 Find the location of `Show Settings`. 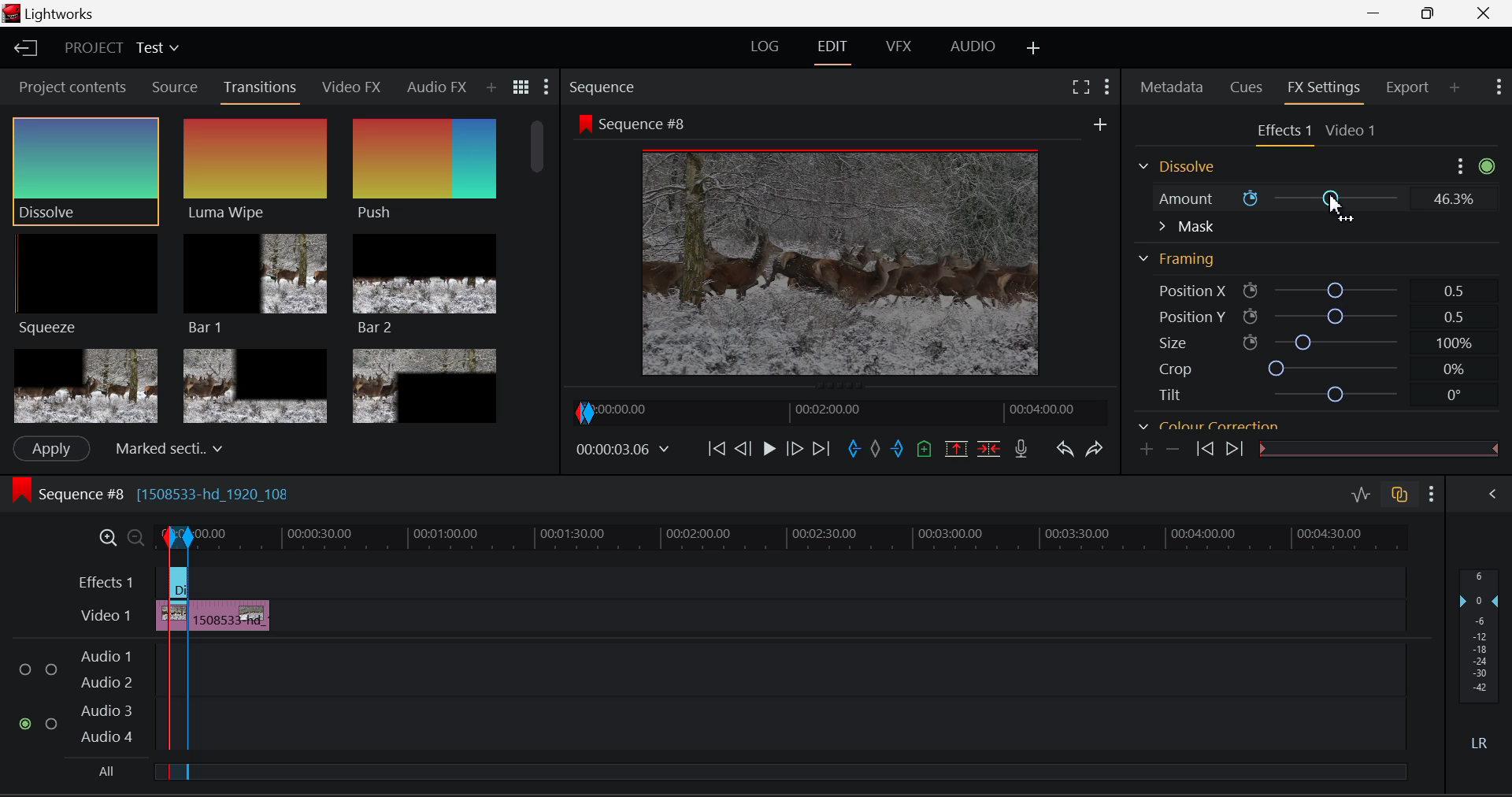

Show Settings is located at coordinates (547, 86).